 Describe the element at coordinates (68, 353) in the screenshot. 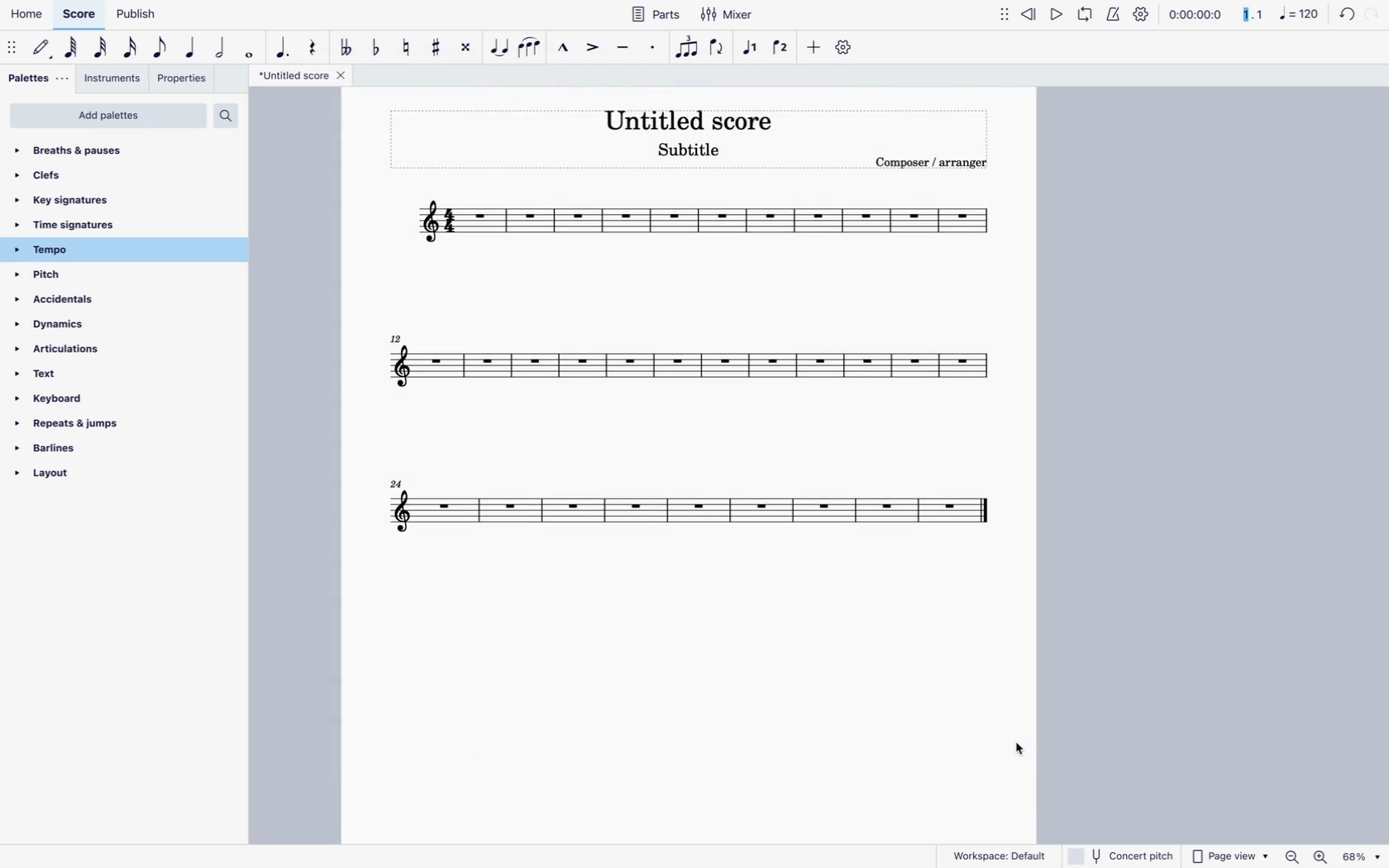

I see `articulations` at that location.